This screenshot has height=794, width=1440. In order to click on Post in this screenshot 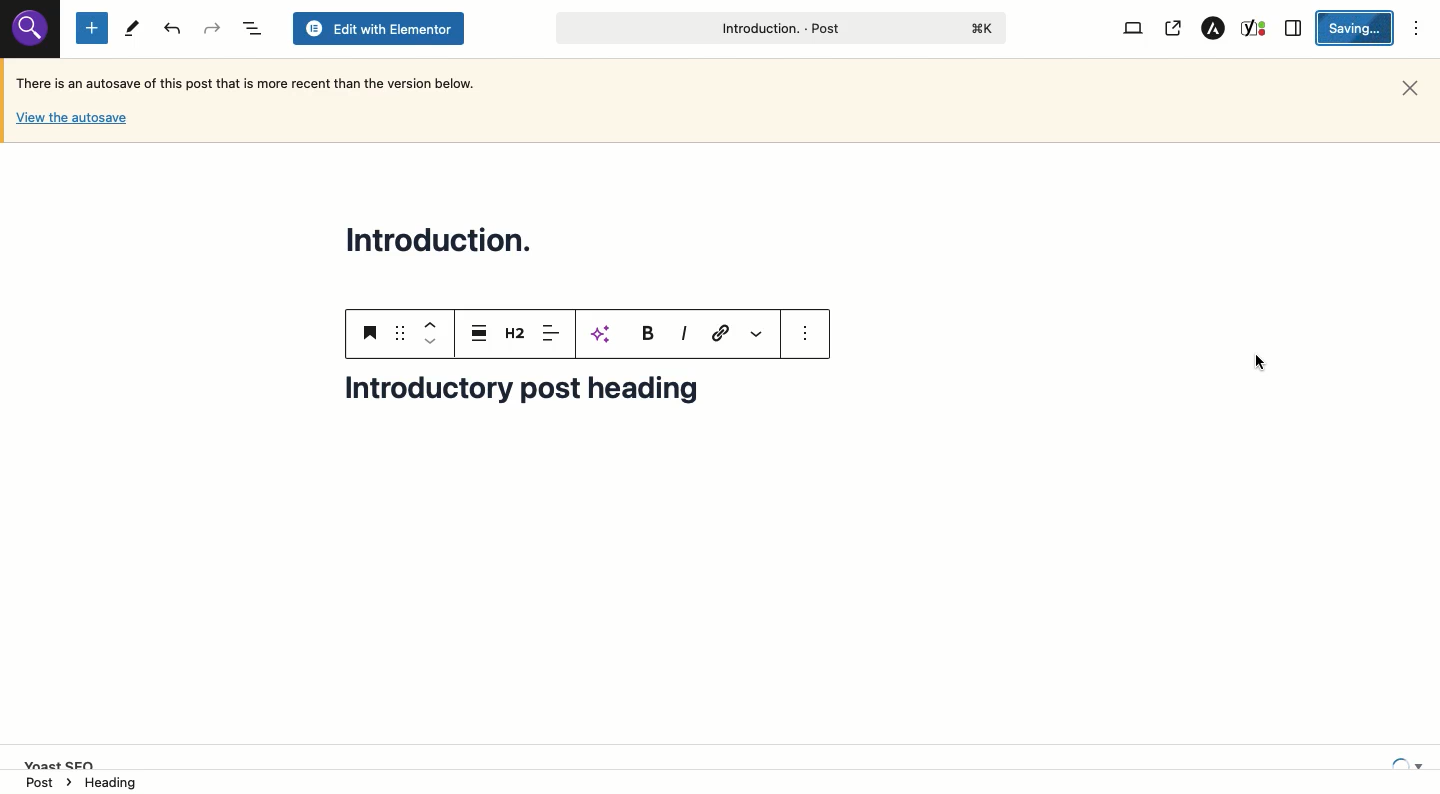, I will do `click(778, 28)`.